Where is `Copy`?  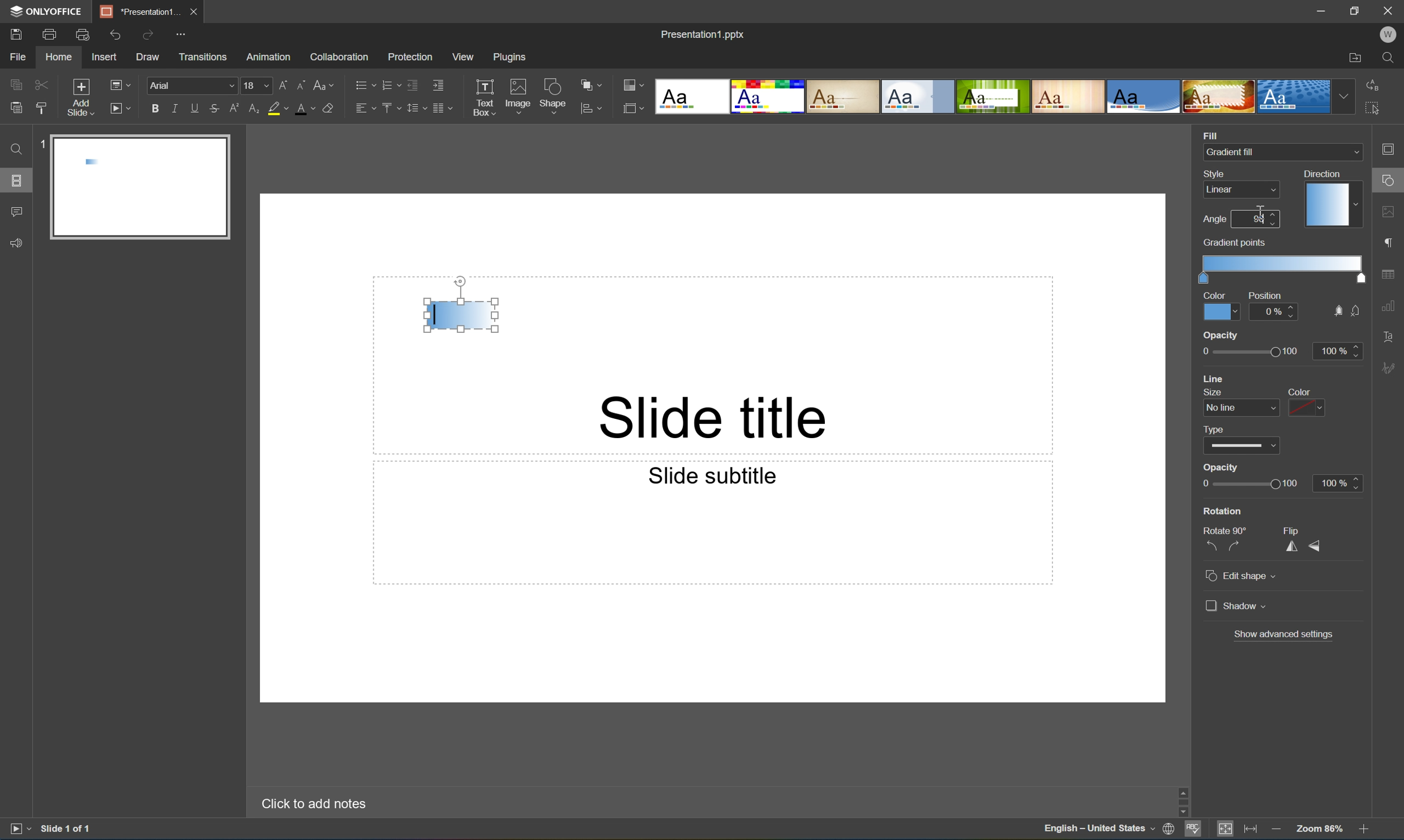
Copy is located at coordinates (16, 84).